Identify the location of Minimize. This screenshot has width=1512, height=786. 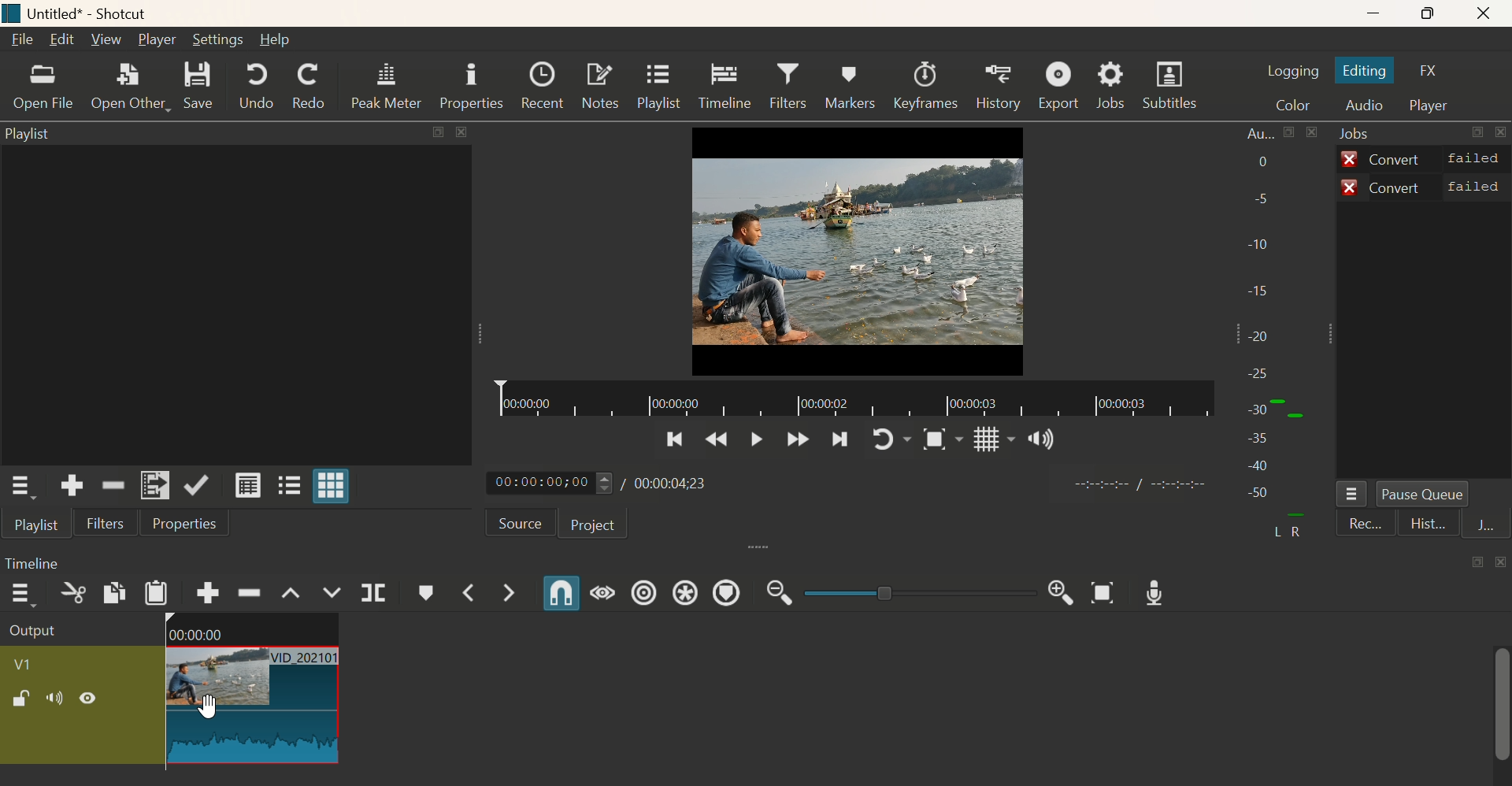
(1380, 14).